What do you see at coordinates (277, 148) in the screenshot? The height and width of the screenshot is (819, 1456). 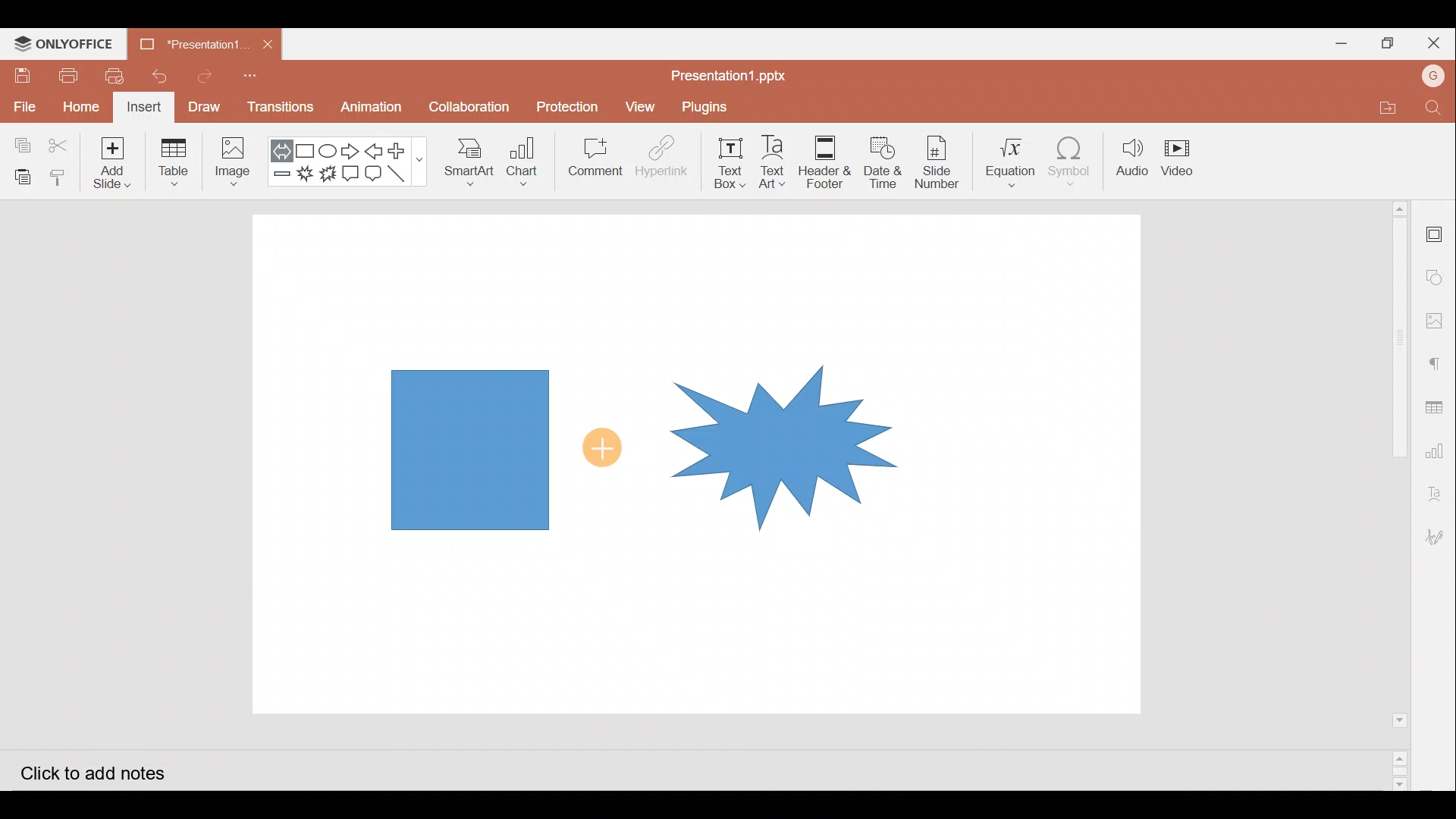 I see `Left right arrow` at bounding box center [277, 148].